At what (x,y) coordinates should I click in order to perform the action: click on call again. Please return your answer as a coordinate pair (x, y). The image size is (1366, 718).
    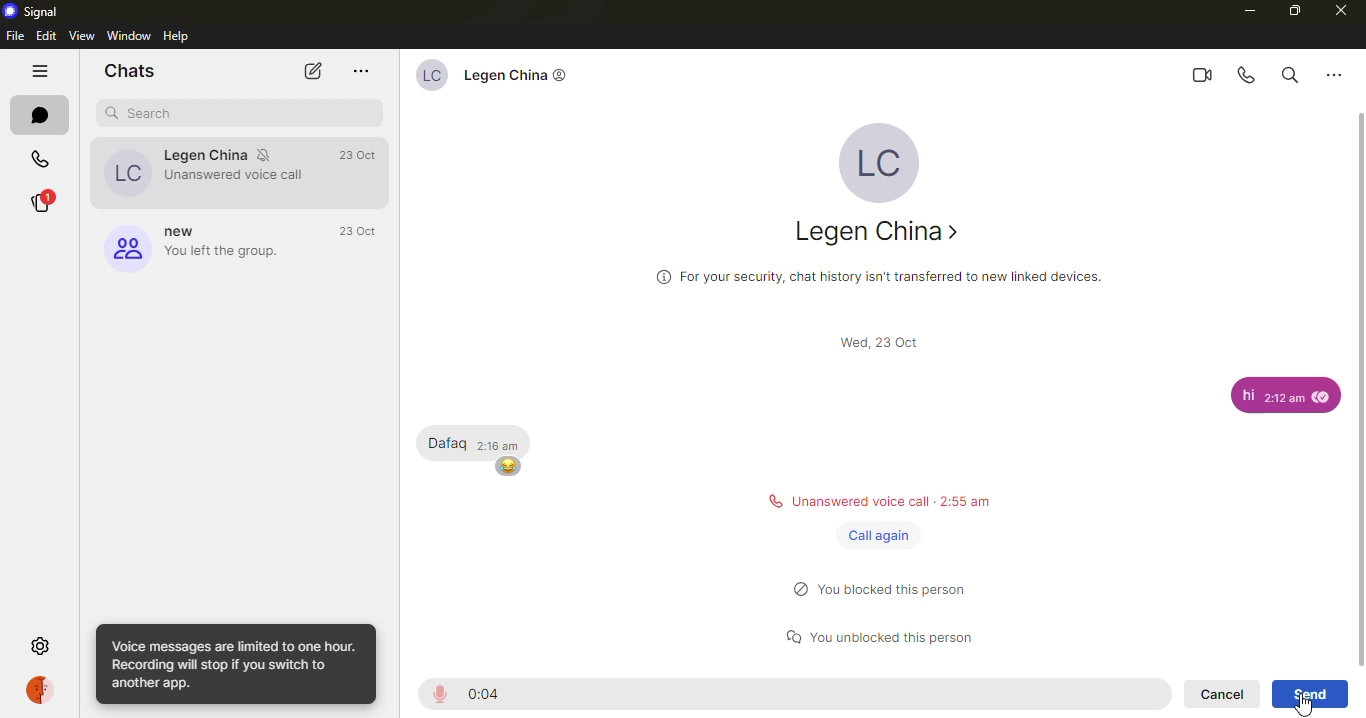
    Looking at the image, I should click on (875, 534).